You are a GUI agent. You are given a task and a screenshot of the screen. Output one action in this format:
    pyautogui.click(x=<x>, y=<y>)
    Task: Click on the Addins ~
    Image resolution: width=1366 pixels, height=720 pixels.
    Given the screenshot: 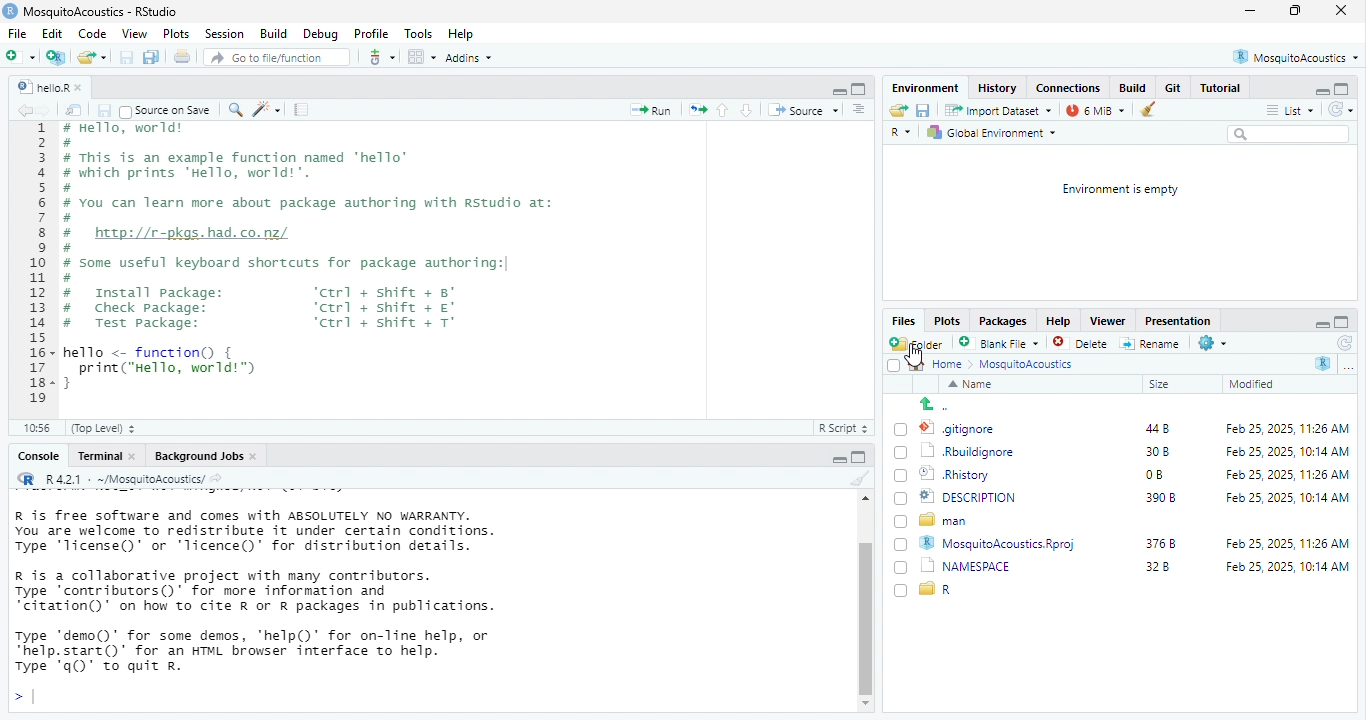 What is the action you would take?
    pyautogui.click(x=473, y=58)
    